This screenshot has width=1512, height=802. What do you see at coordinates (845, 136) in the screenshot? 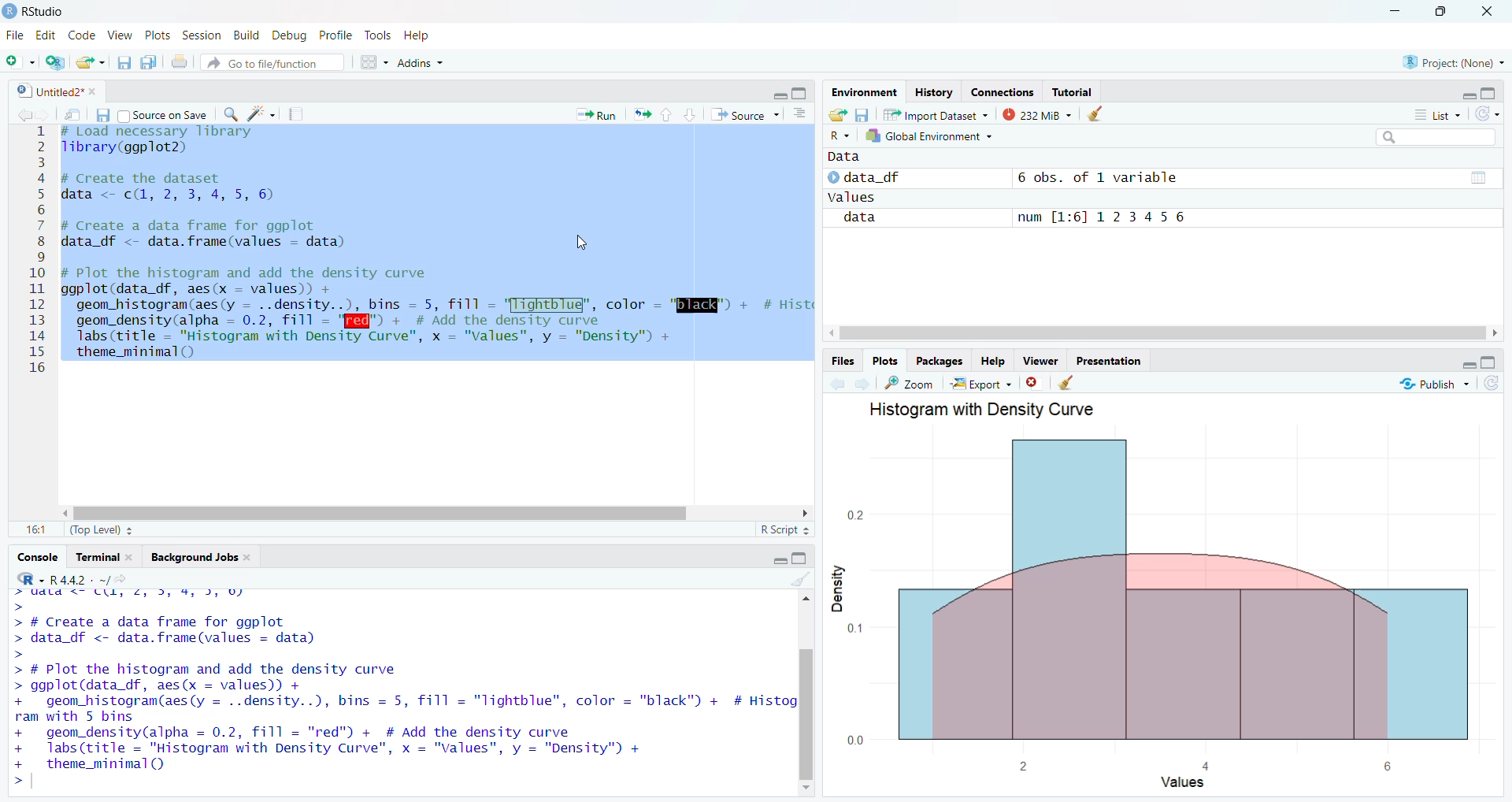
I see `R` at bounding box center [845, 136].